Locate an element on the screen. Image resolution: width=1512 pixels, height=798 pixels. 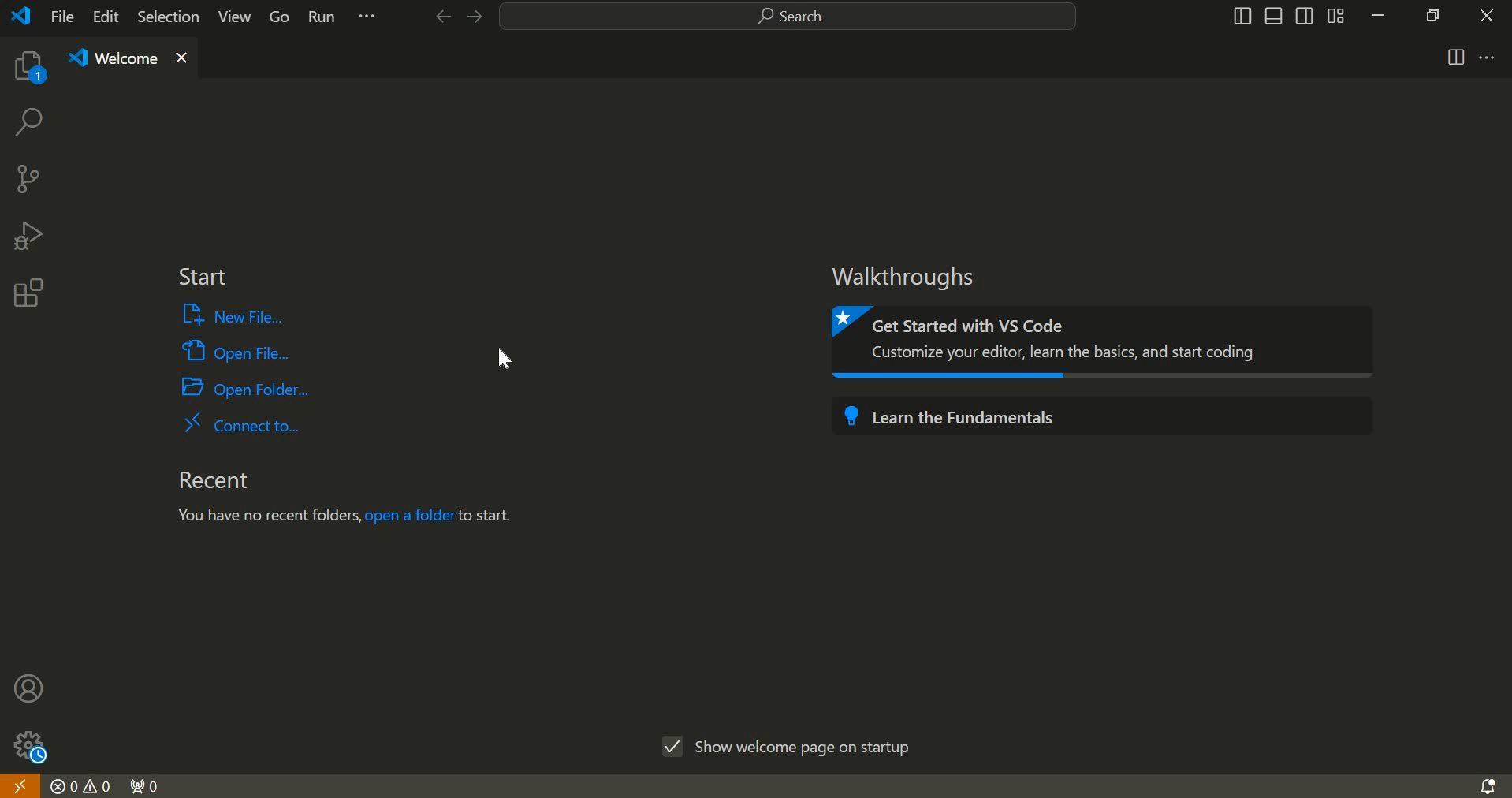
file is located at coordinates (62, 16).